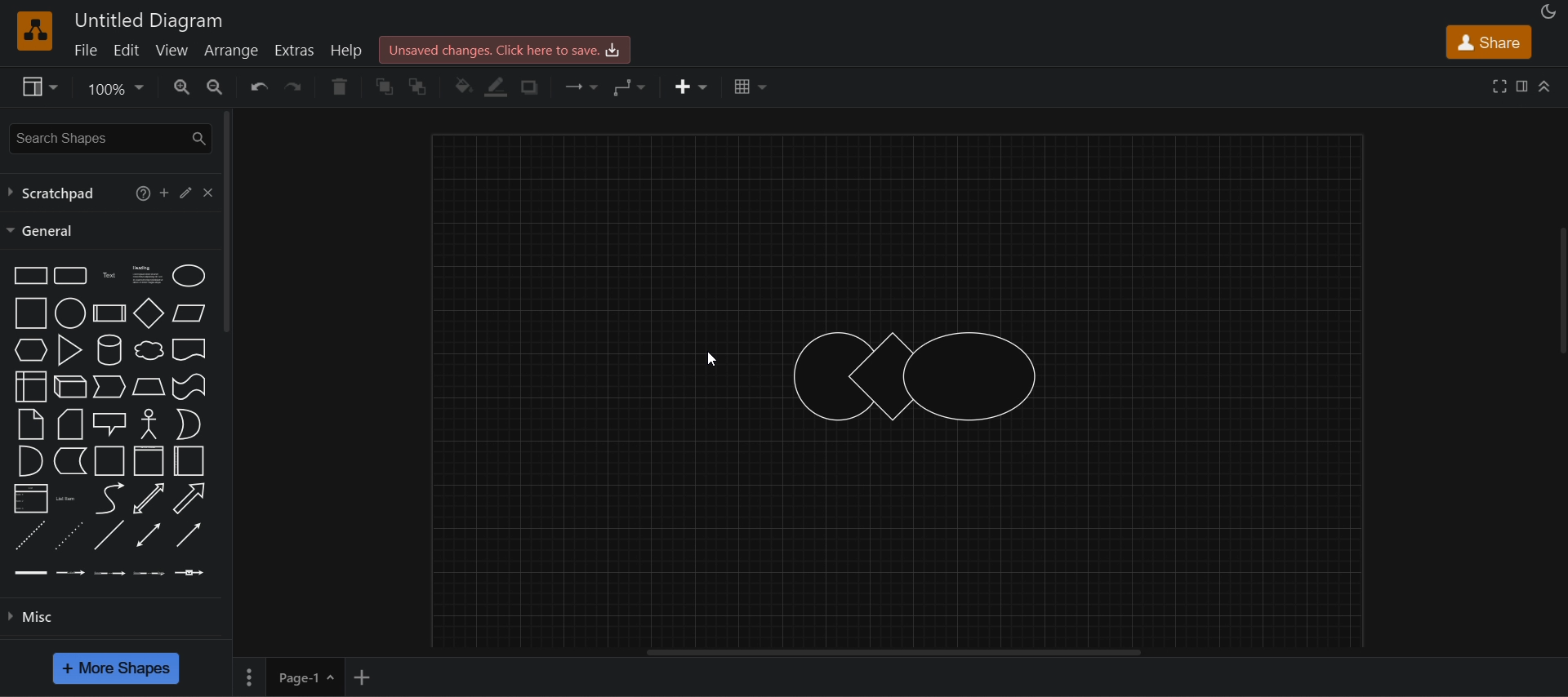 The width and height of the screenshot is (1568, 697). I want to click on Arrow, so click(188, 499).